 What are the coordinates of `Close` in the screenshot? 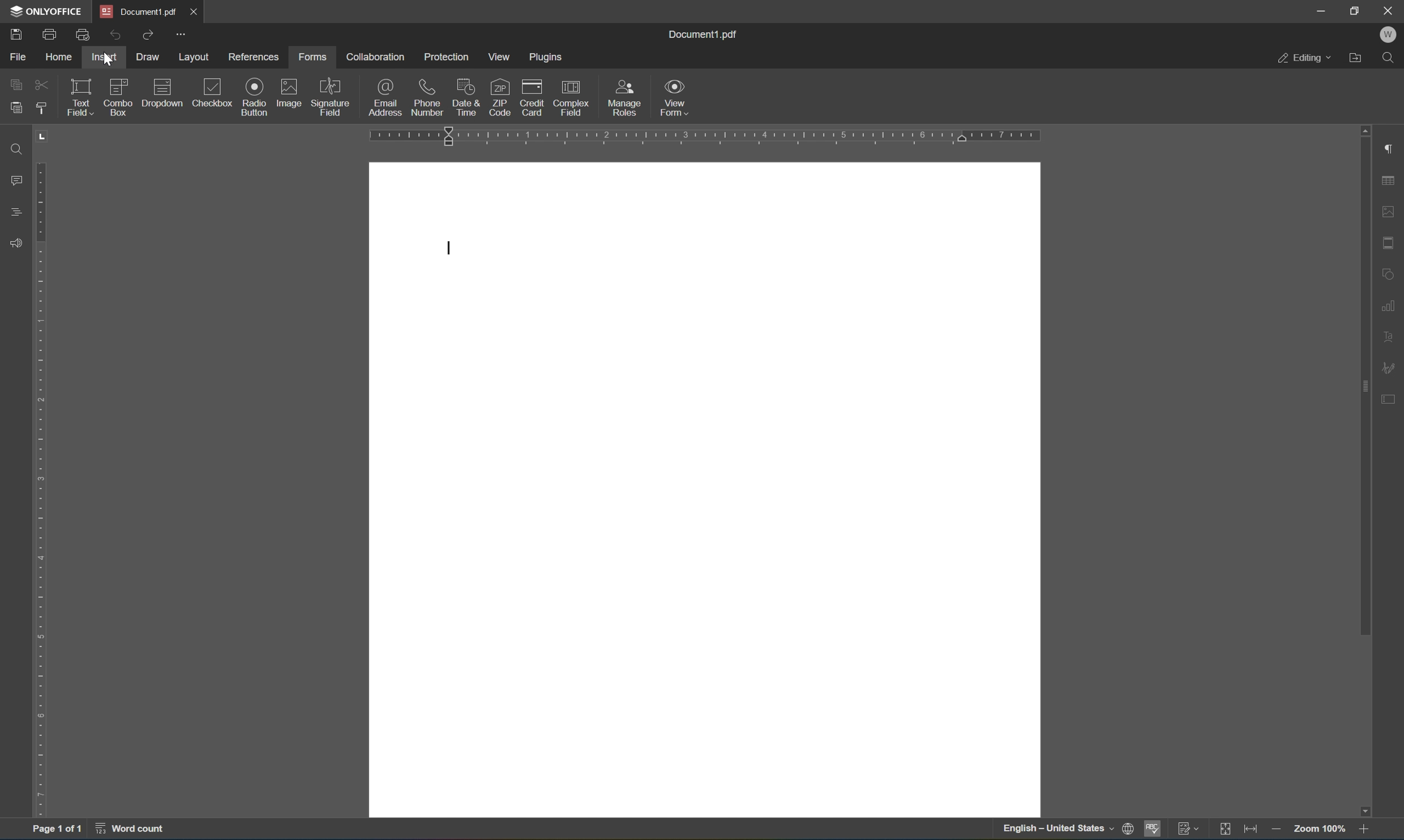 It's located at (1392, 11).